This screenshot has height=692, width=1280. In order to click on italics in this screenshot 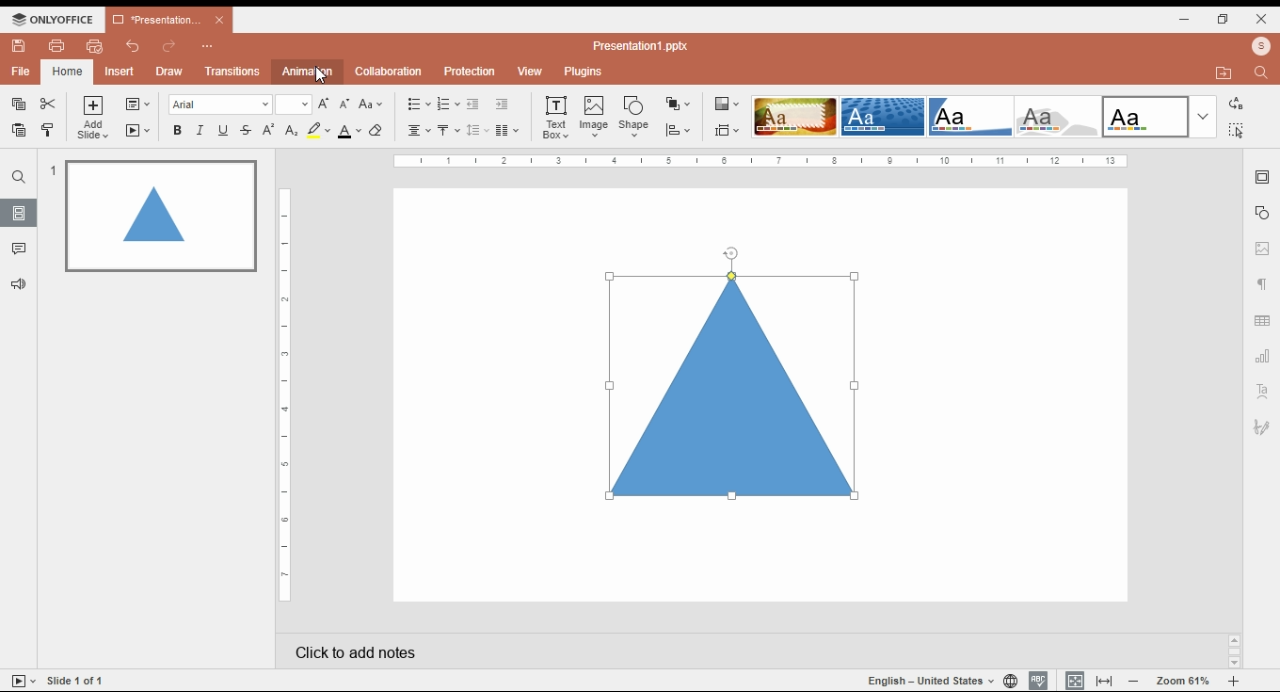, I will do `click(198, 129)`.